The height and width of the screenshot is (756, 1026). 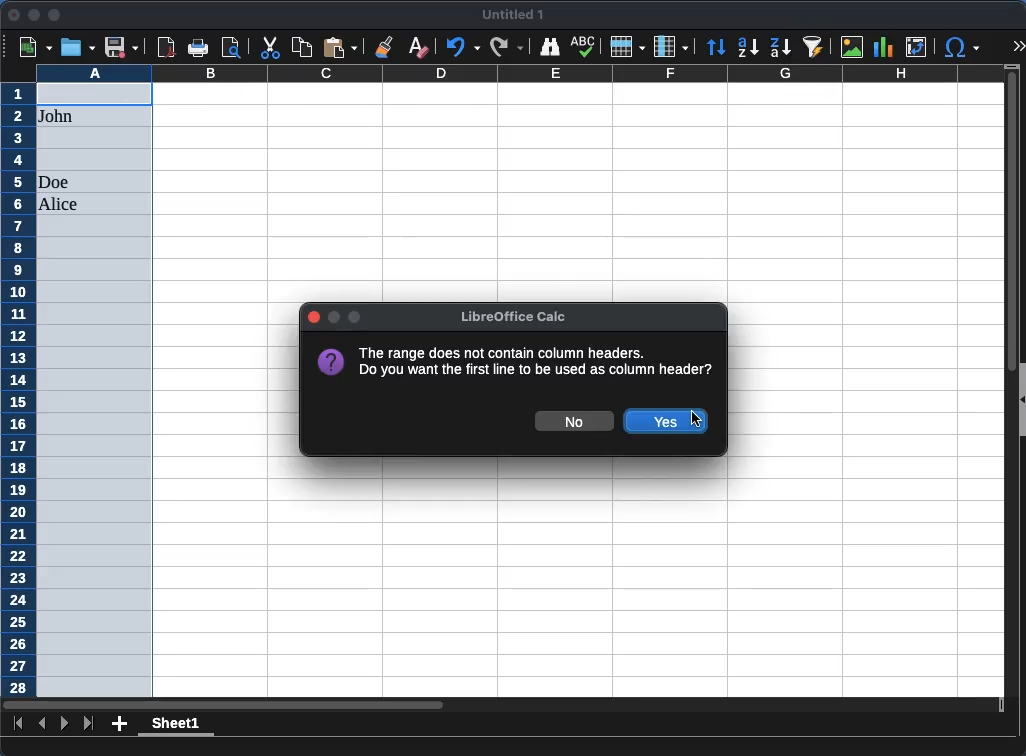 I want to click on sheet1, so click(x=174, y=726).